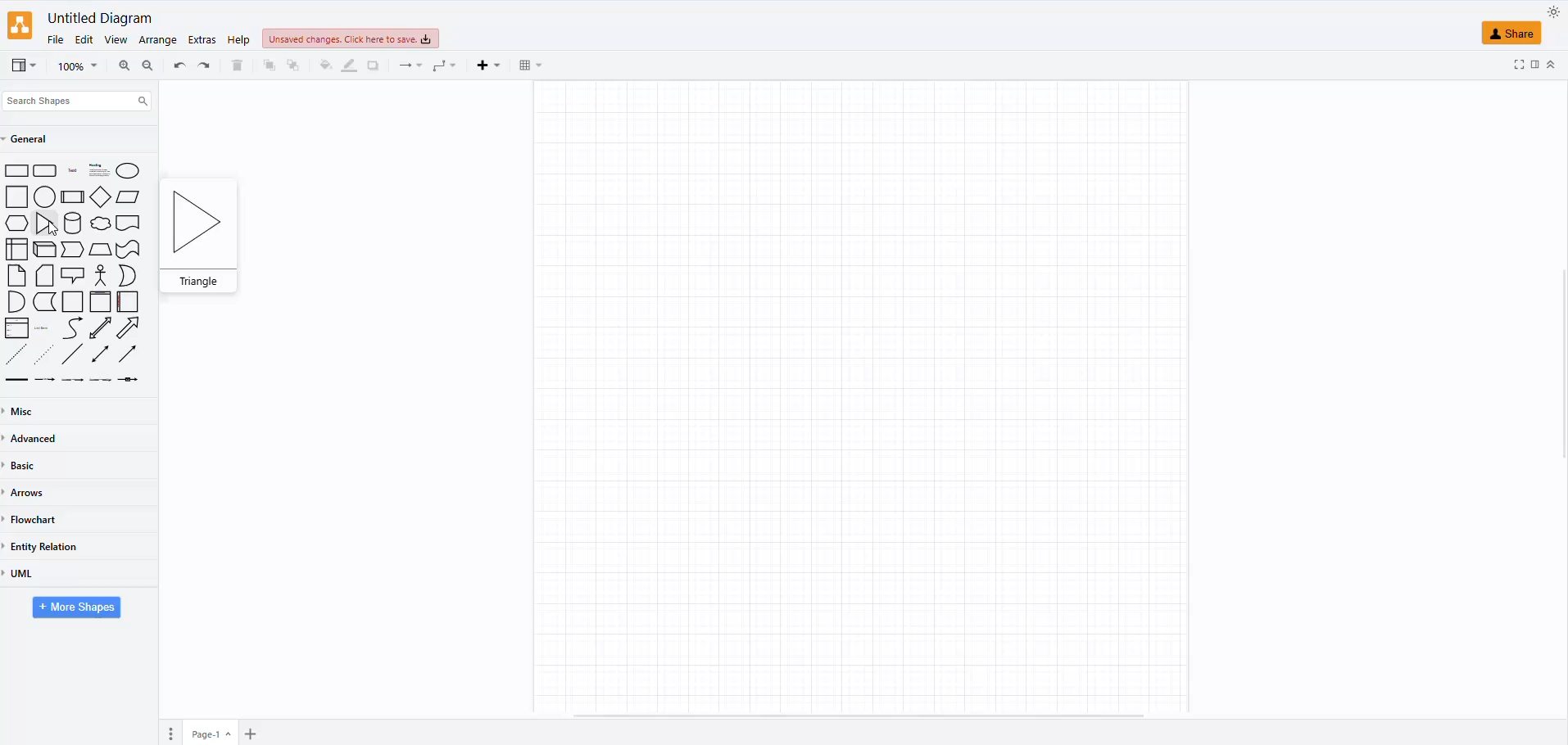 The width and height of the screenshot is (1568, 745). Describe the element at coordinates (101, 223) in the screenshot. I see `Chat Bubble` at that location.